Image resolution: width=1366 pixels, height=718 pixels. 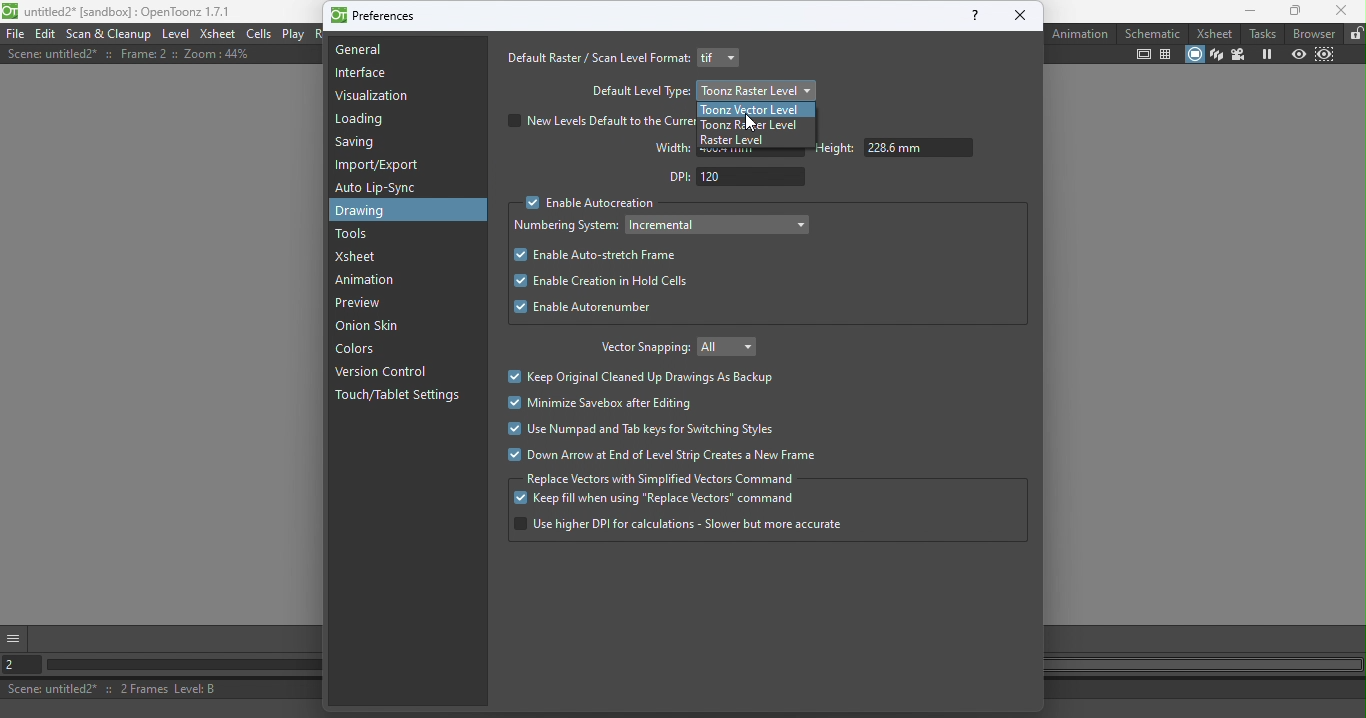 What do you see at coordinates (661, 456) in the screenshot?
I see `Down arrow at end of level strip creates a new frame` at bounding box center [661, 456].